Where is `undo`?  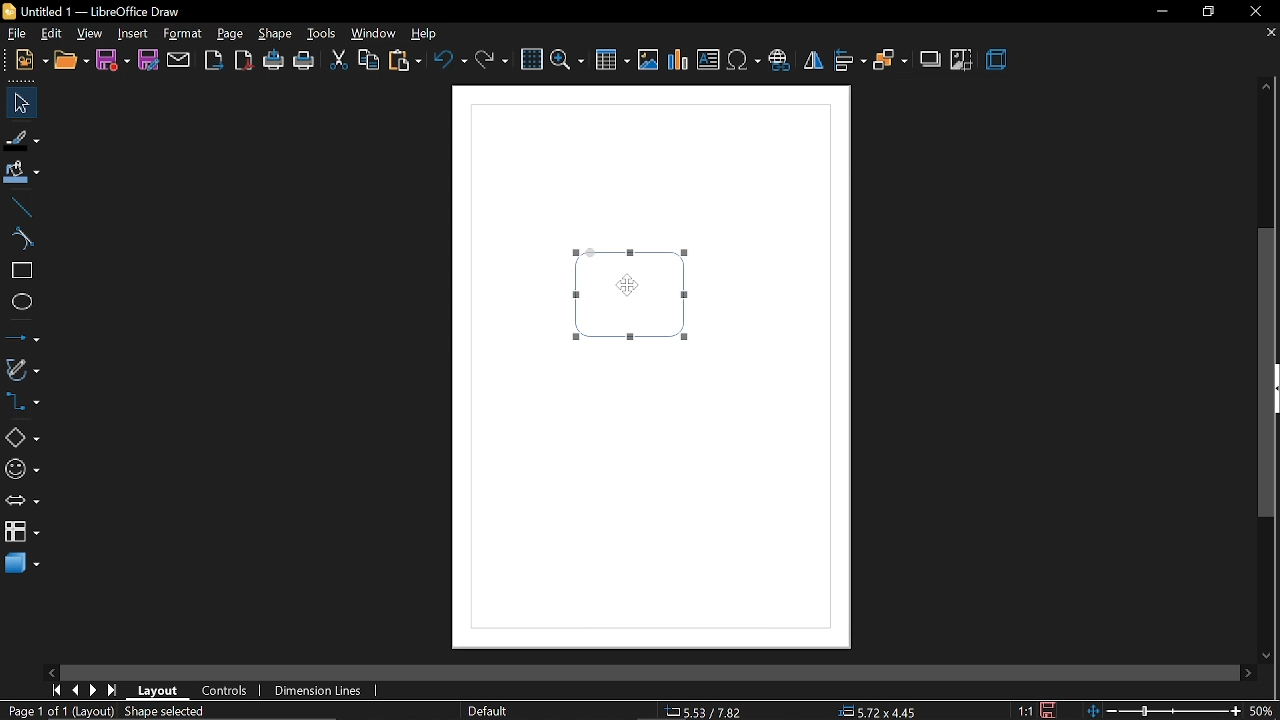
undo is located at coordinates (452, 64).